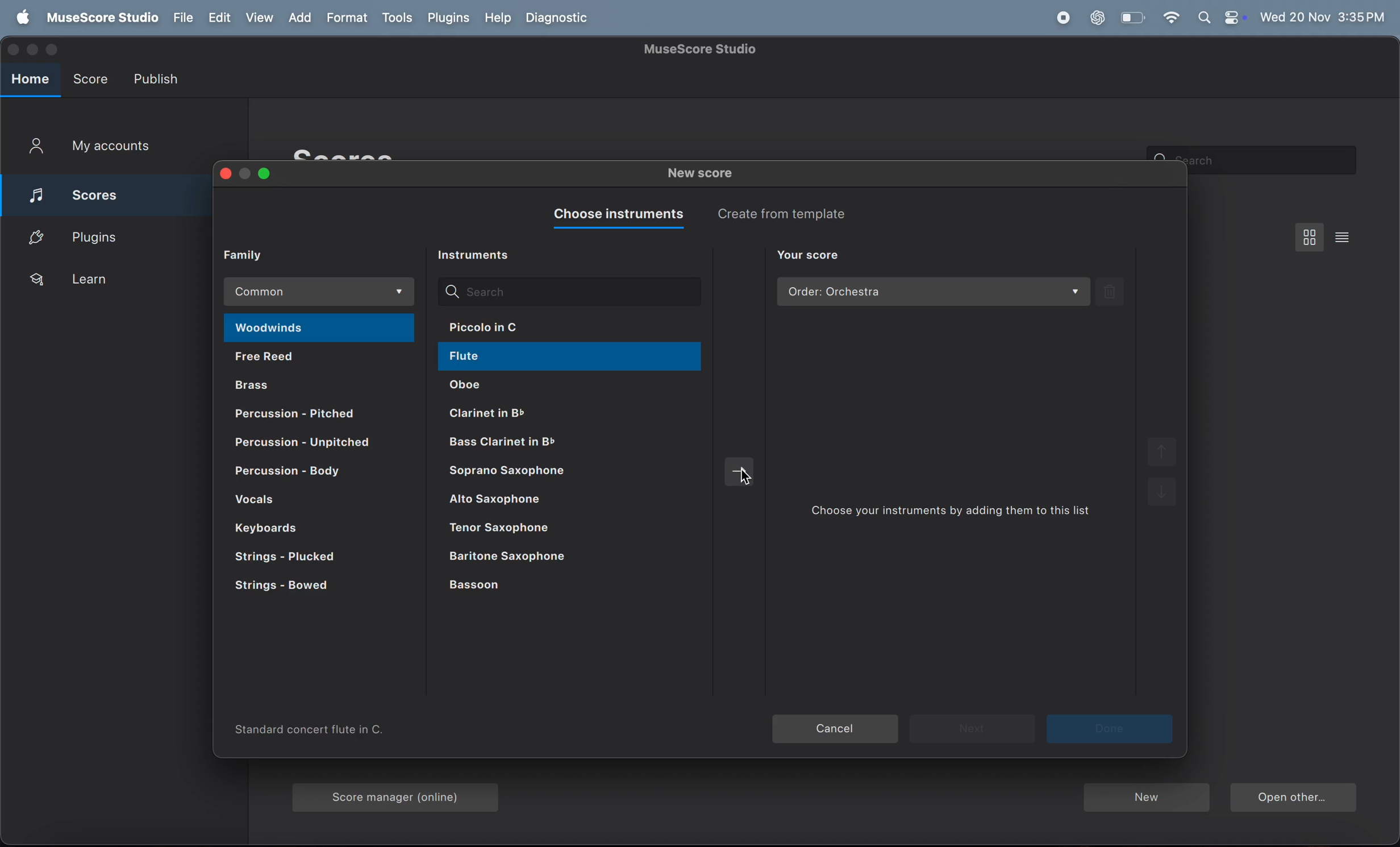 This screenshot has width=1400, height=847. Describe the element at coordinates (181, 18) in the screenshot. I see `file` at that location.